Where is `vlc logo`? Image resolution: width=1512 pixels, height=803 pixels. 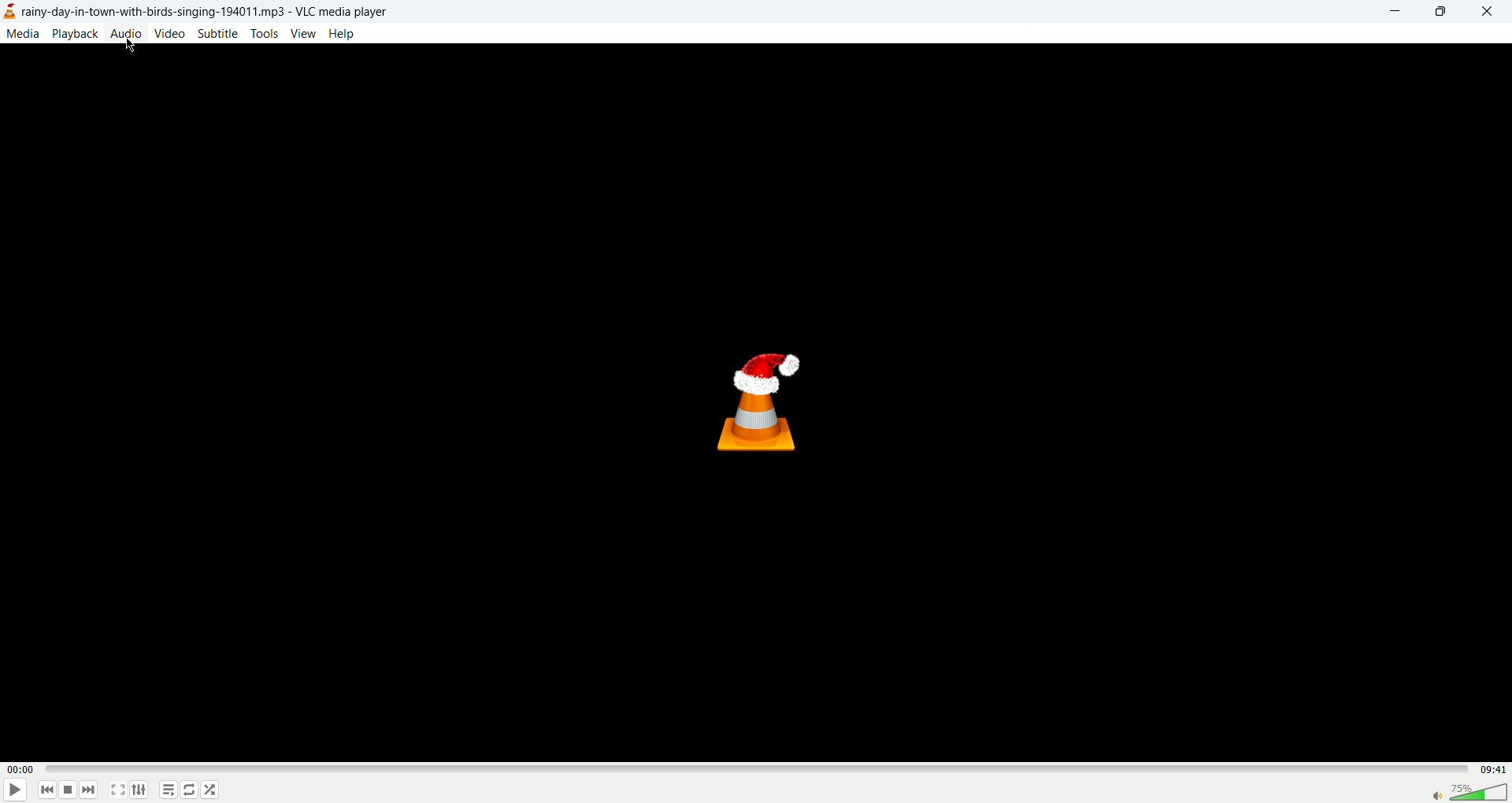
vlc logo is located at coordinates (765, 407).